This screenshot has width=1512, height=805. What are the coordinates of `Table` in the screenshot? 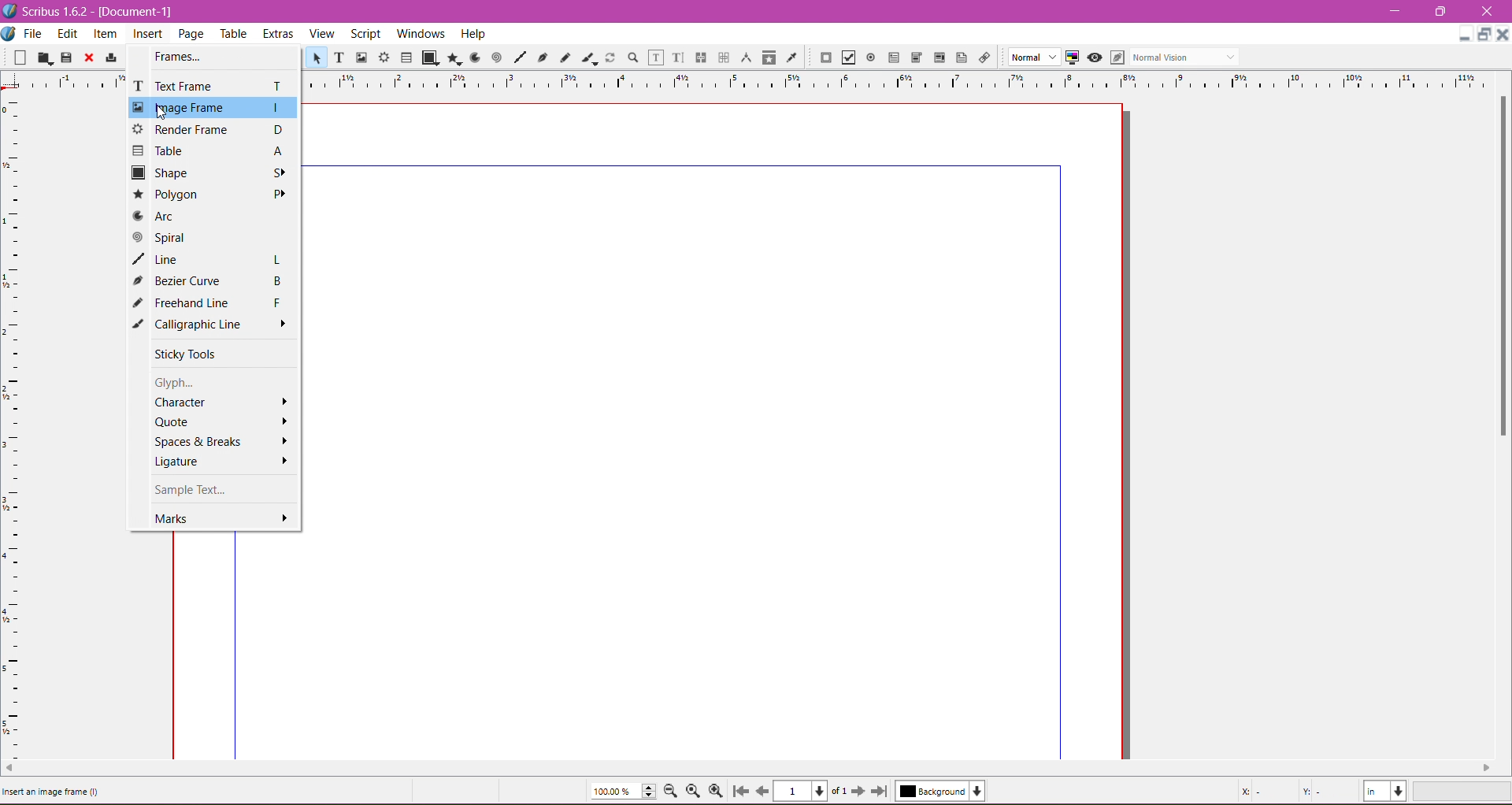 It's located at (406, 57).